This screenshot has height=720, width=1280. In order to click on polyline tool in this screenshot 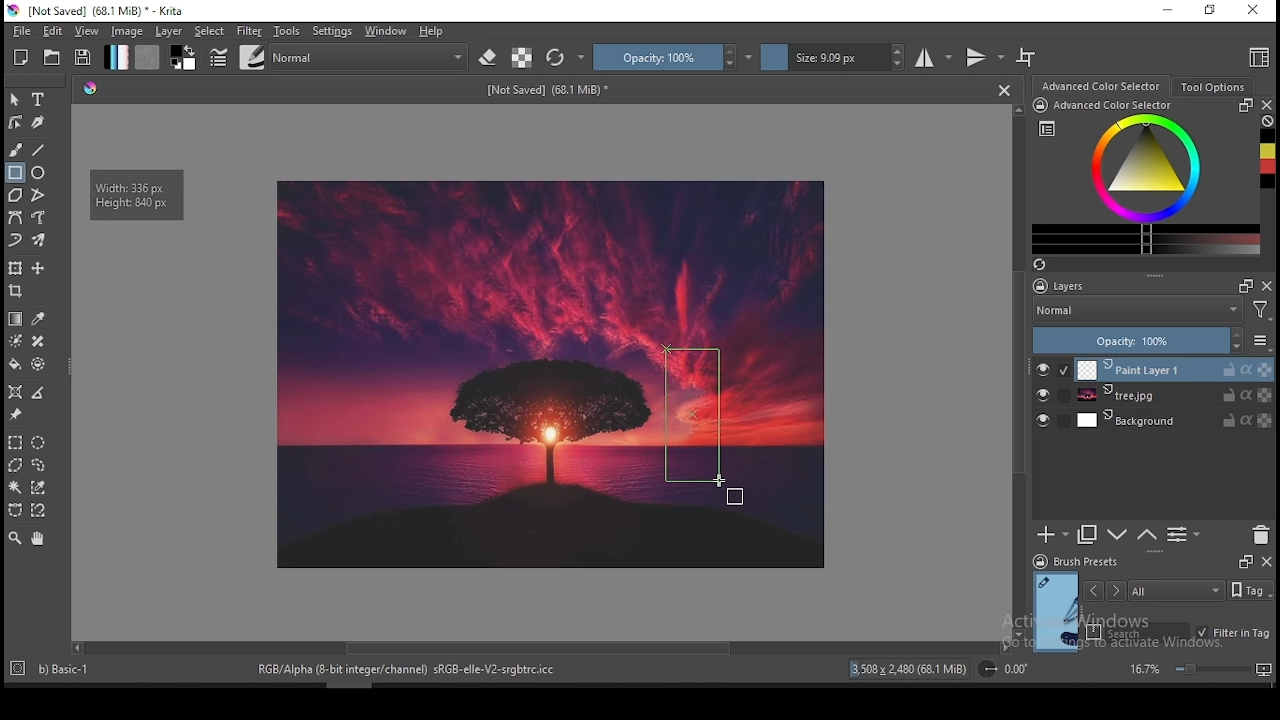, I will do `click(38, 194)`.